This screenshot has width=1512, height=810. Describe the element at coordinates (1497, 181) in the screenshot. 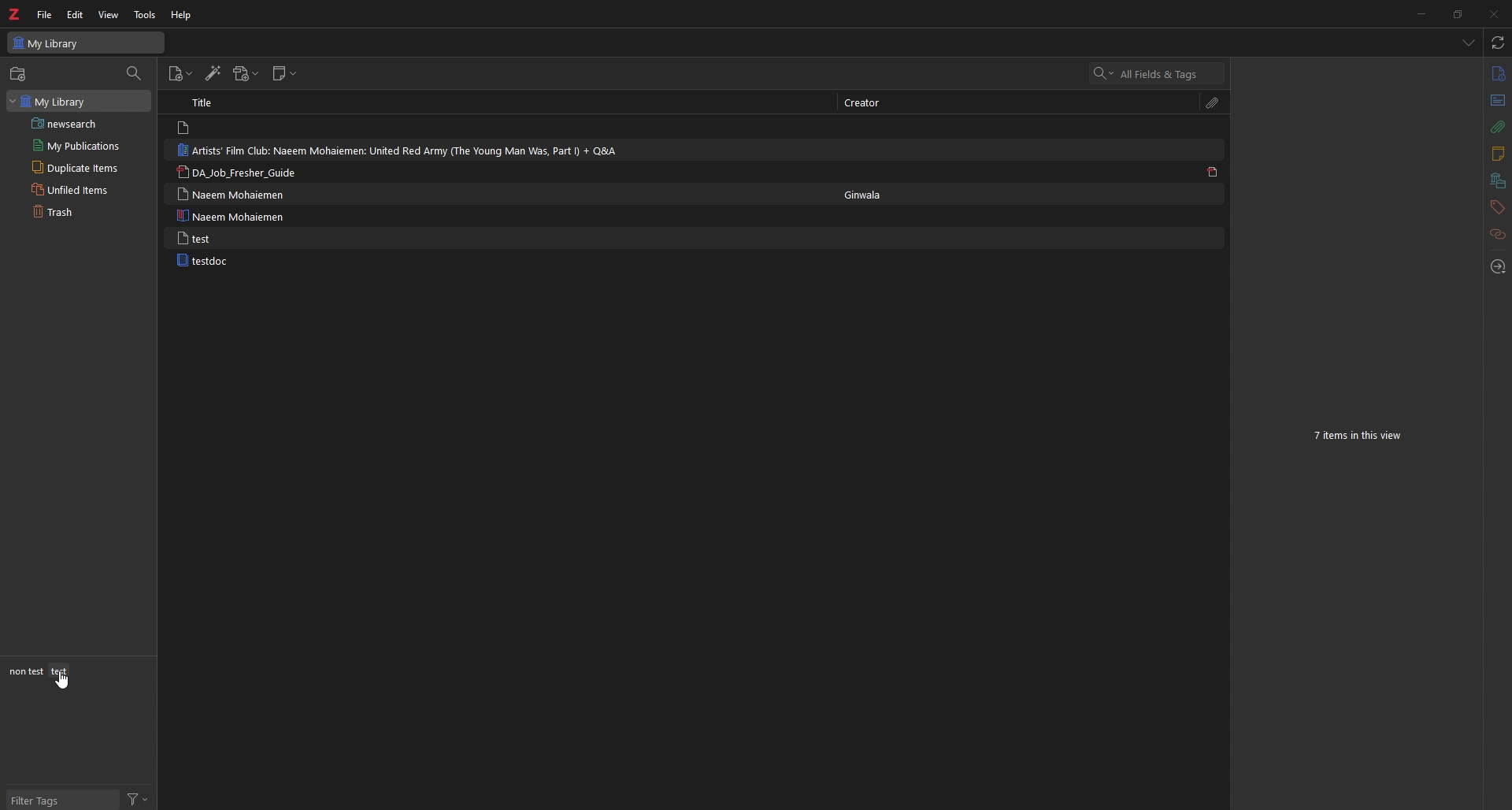

I see `libraries and collections` at that location.